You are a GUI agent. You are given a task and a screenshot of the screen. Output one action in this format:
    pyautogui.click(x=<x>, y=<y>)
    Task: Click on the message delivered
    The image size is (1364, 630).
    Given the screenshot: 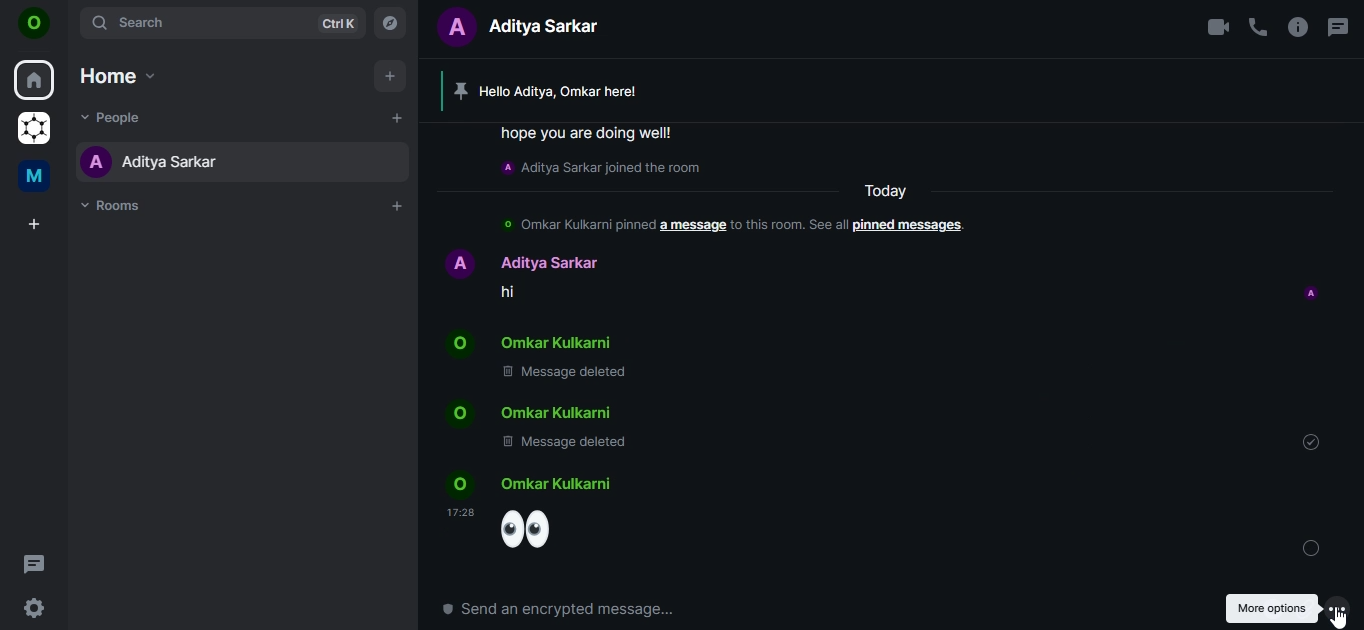 What is the action you would take?
    pyautogui.click(x=1311, y=548)
    